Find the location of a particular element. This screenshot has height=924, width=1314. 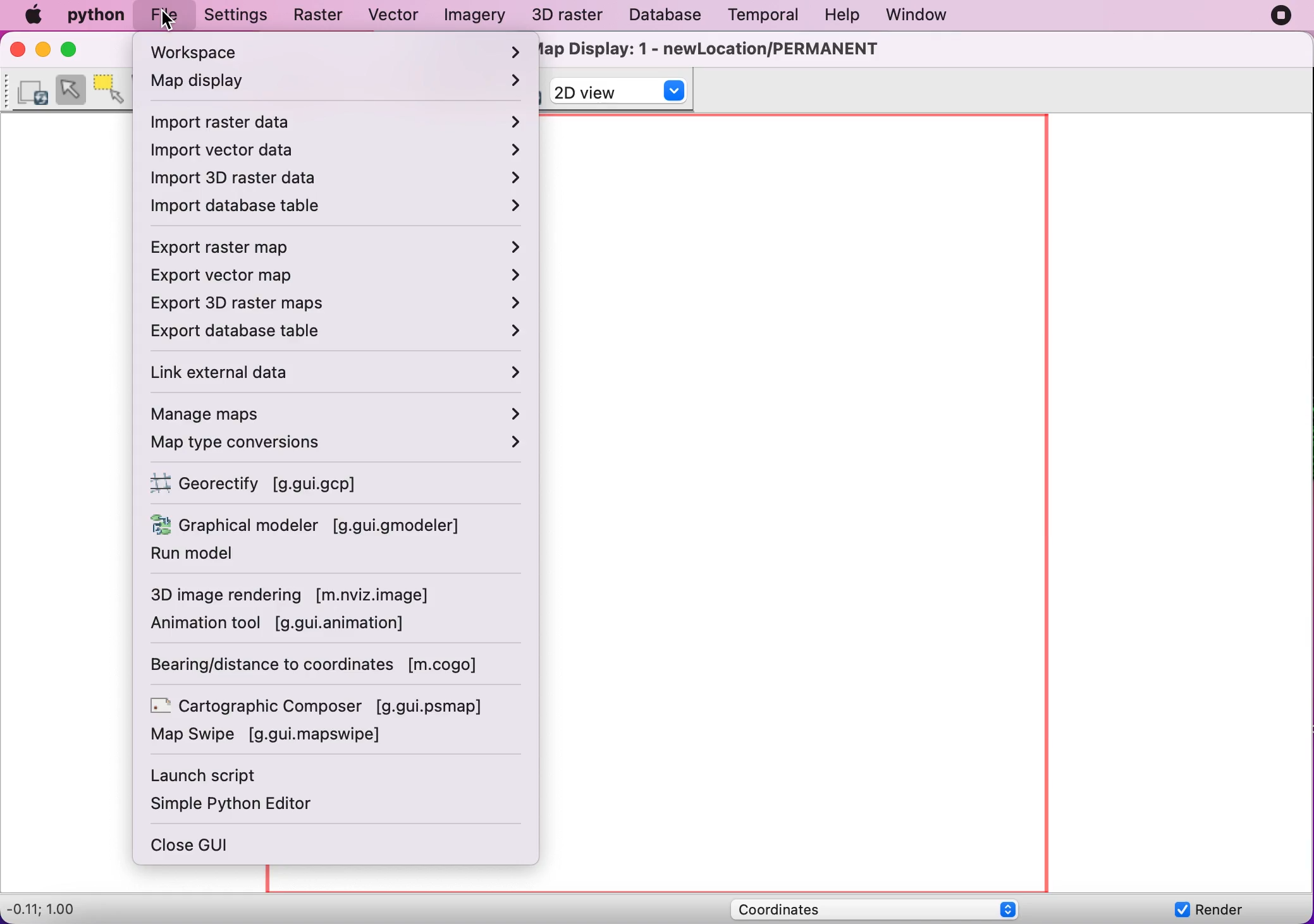

animation tool is located at coordinates (291, 625).